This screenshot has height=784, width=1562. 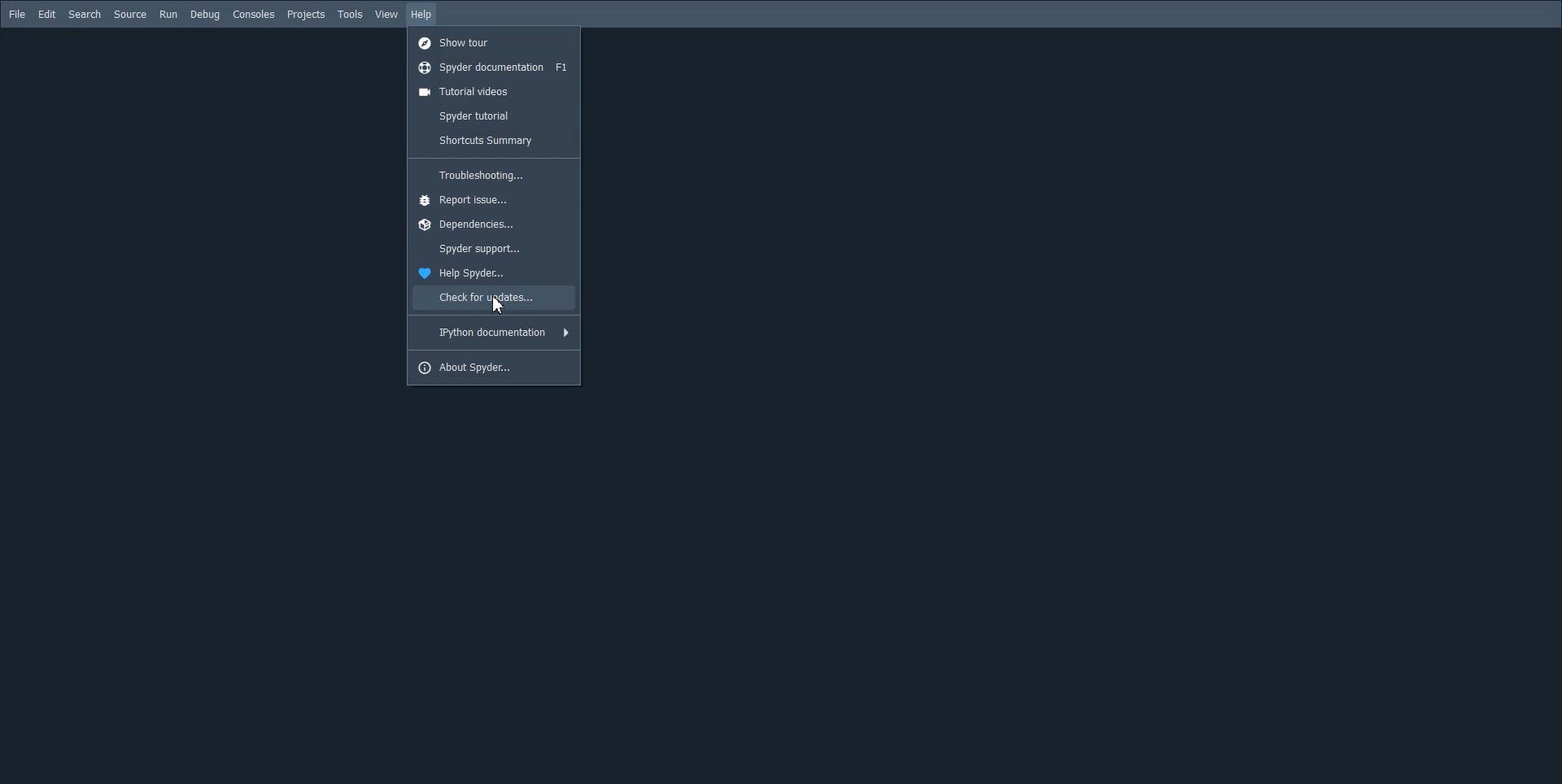 What do you see at coordinates (205, 15) in the screenshot?
I see `Debug` at bounding box center [205, 15].